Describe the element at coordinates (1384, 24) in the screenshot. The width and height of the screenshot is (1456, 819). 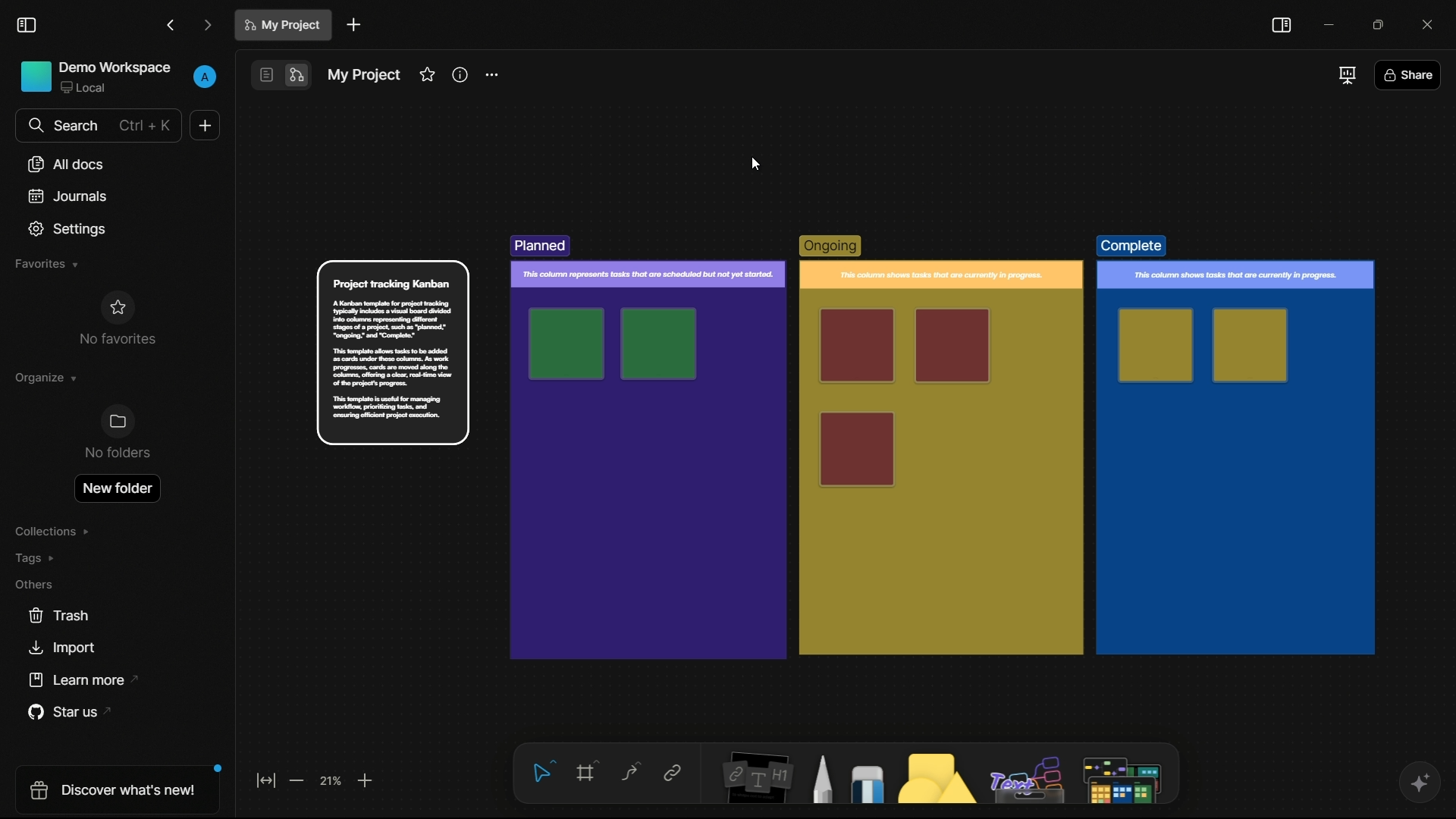
I see `maximize or restore` at that location.